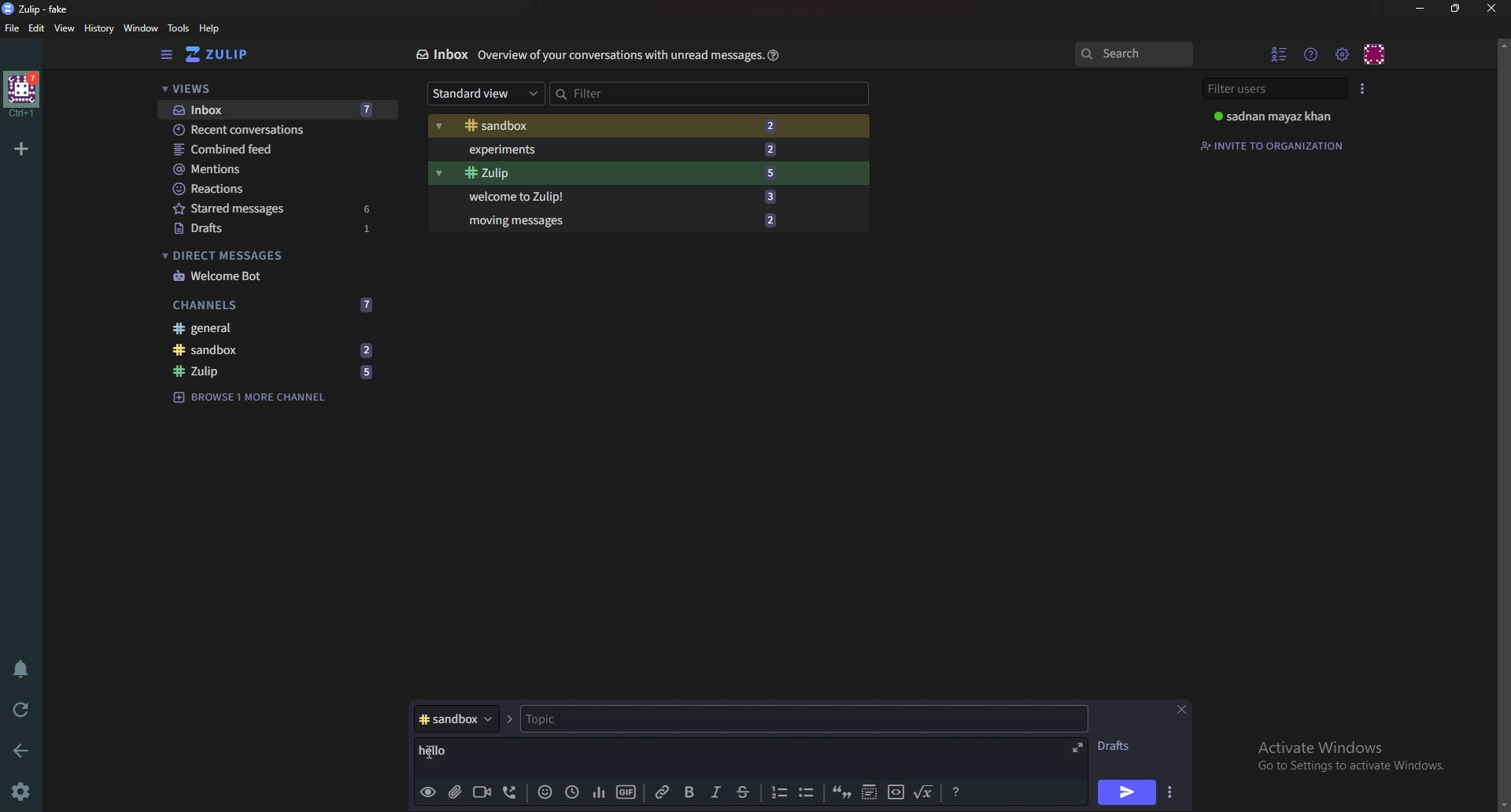  What do you see at coordinates (1181, 708) in the screenshot?
I see `close message` at bounding box center [1181, 708].